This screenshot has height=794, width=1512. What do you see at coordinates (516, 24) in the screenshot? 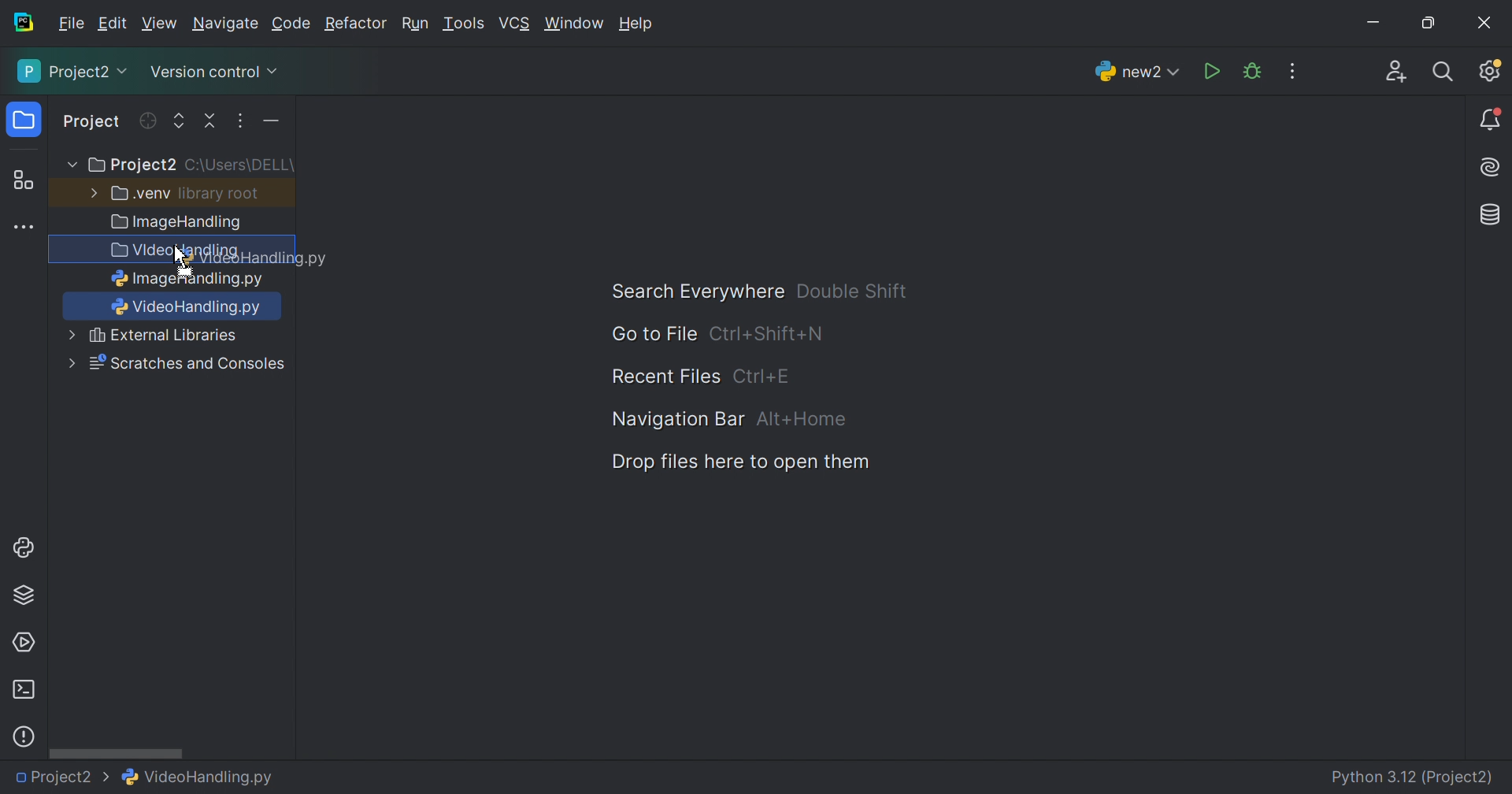
I see `VCS` at bounding box center [516, 24].